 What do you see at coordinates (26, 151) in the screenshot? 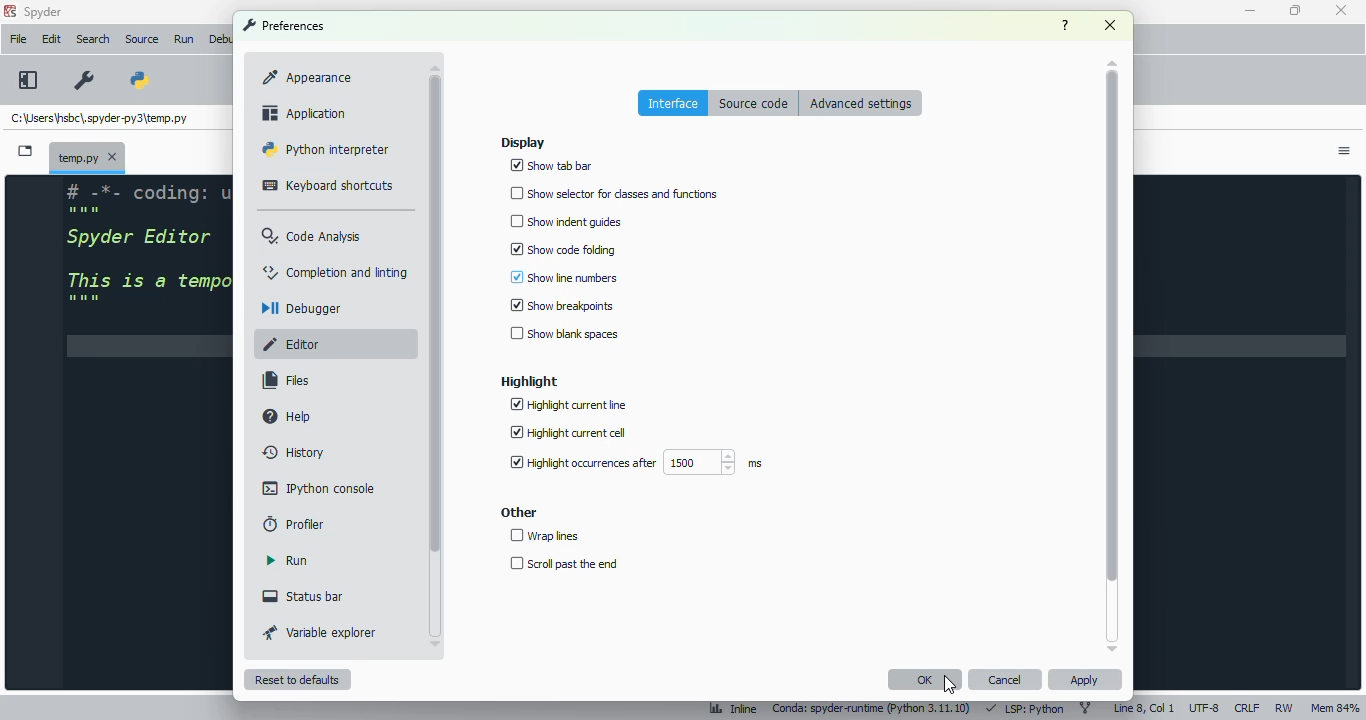
I see `browse tabs` at bounding box center [26, 151].